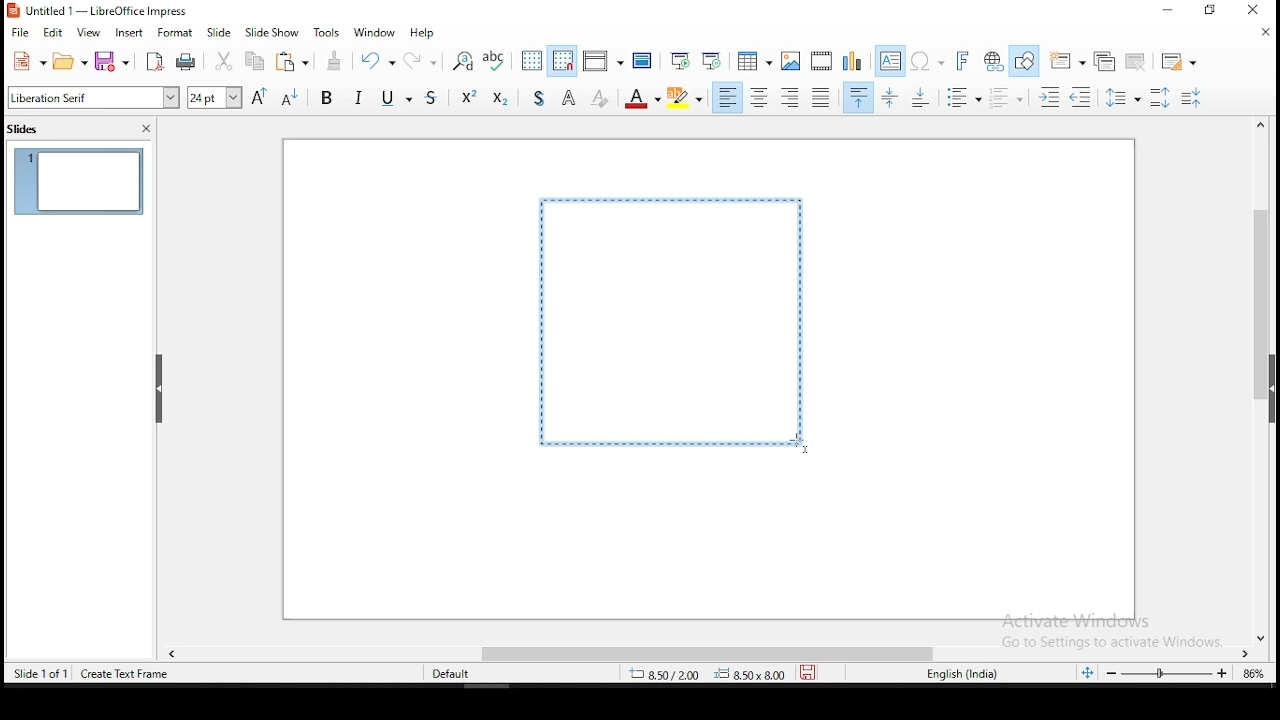 The width and height of the screenshot is (1280, 720). Describe the element at coordinates (502, 99) in the screenshot. I see `subscript` at that location.